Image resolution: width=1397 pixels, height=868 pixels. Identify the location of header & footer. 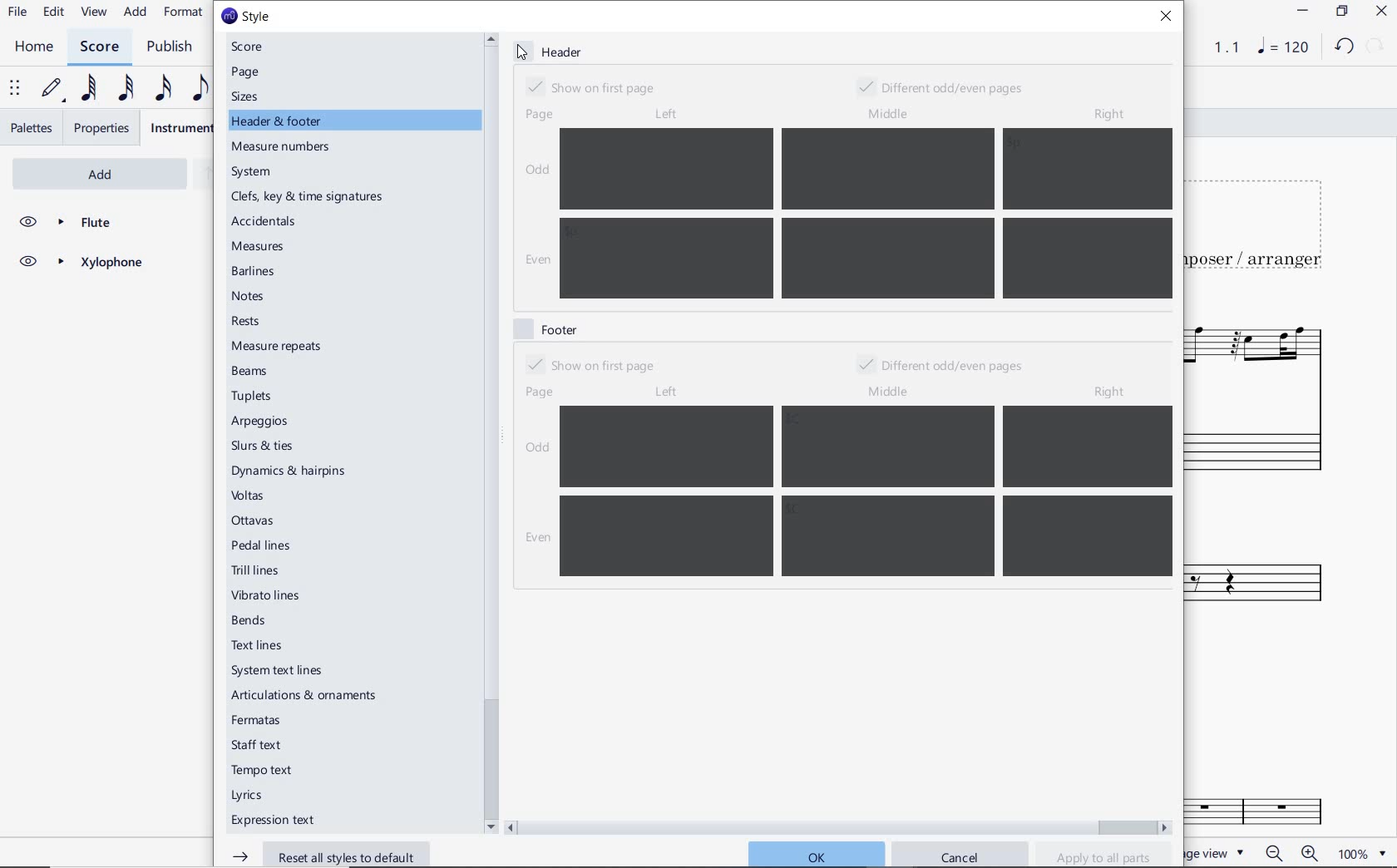
(279, 121).